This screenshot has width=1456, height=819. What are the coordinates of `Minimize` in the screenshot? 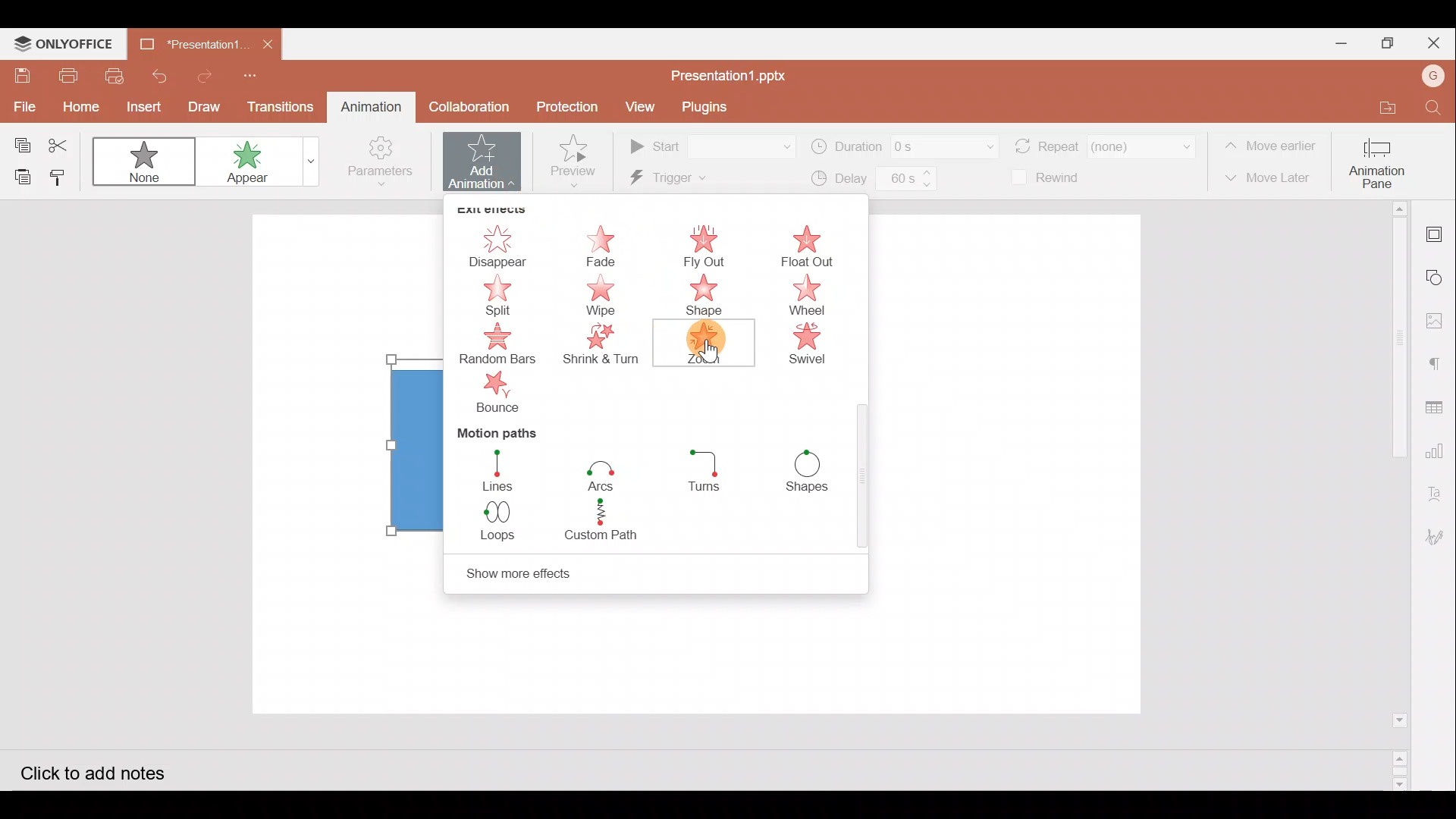 It's located at (1335, 42).